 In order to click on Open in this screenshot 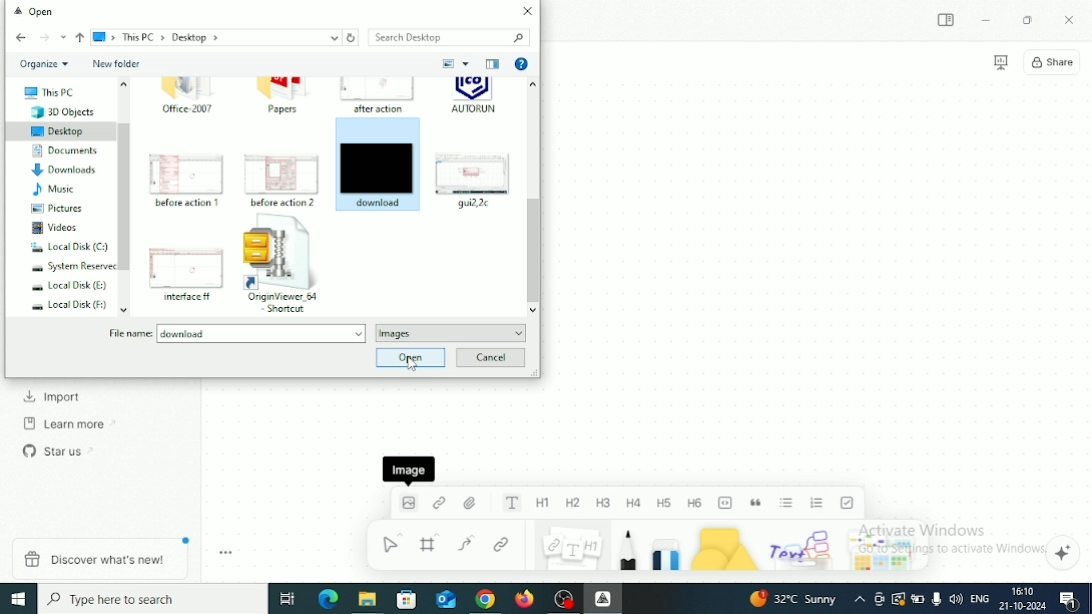, I will do `click(410, 357)`.